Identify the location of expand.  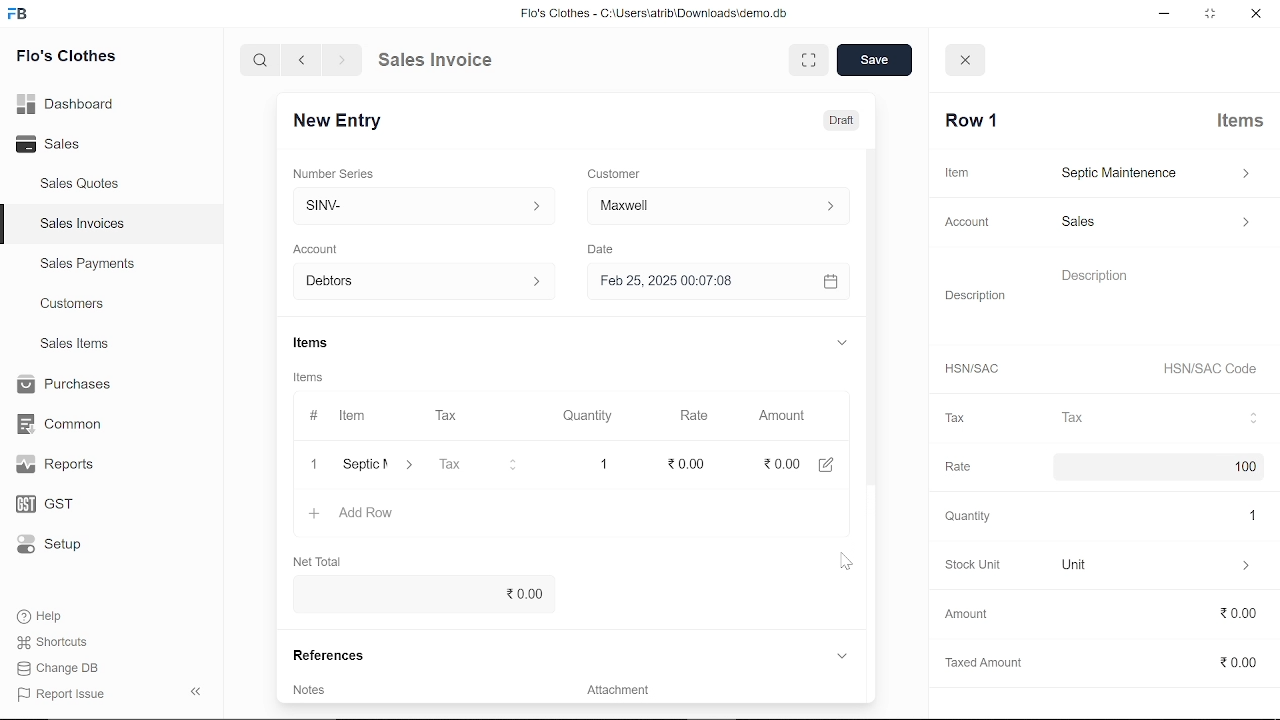
(841, 342).